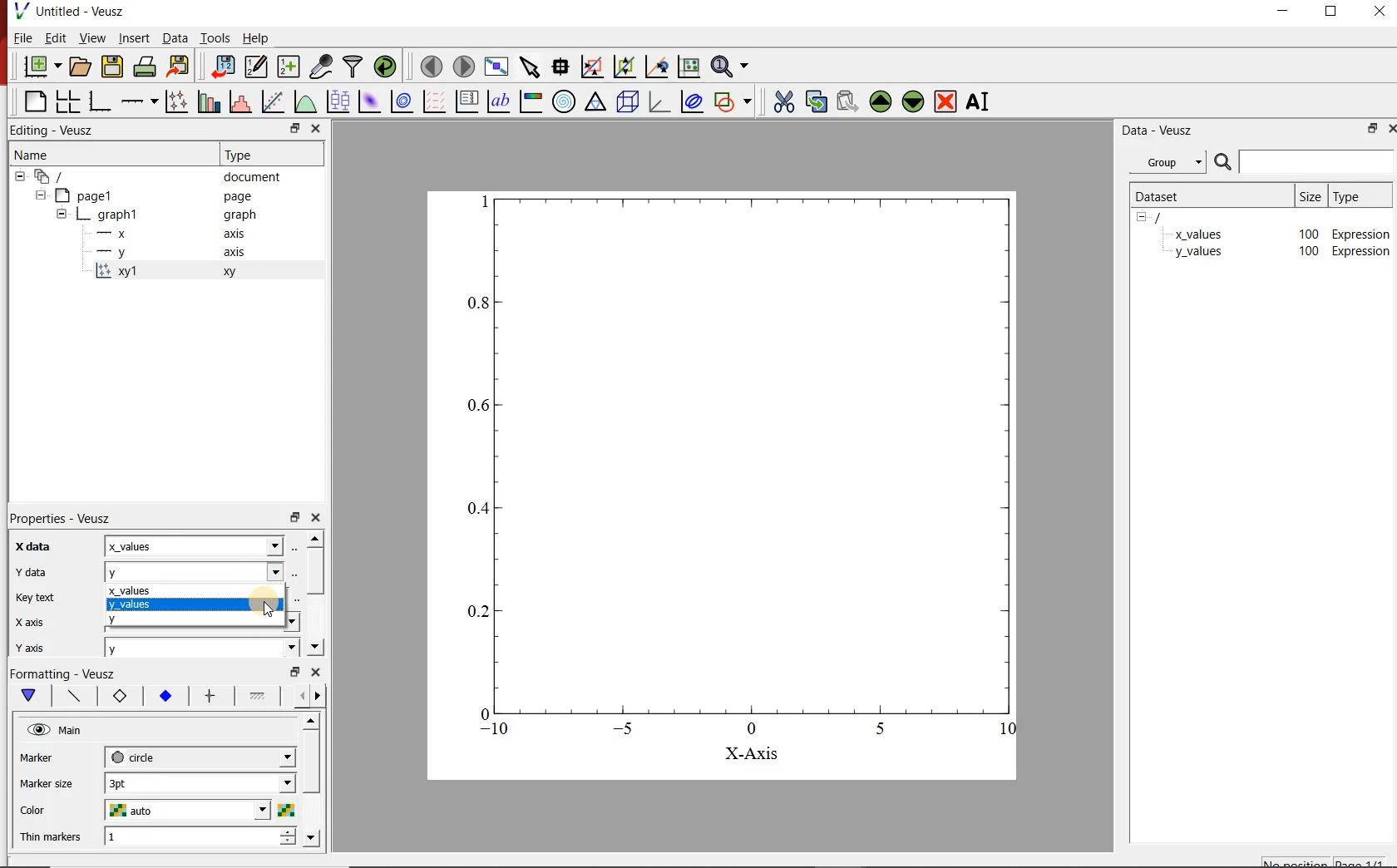 The width and height of the screenshot is (1397, 868). I want to click on arrange graphs in a grid, so click(67, 102).